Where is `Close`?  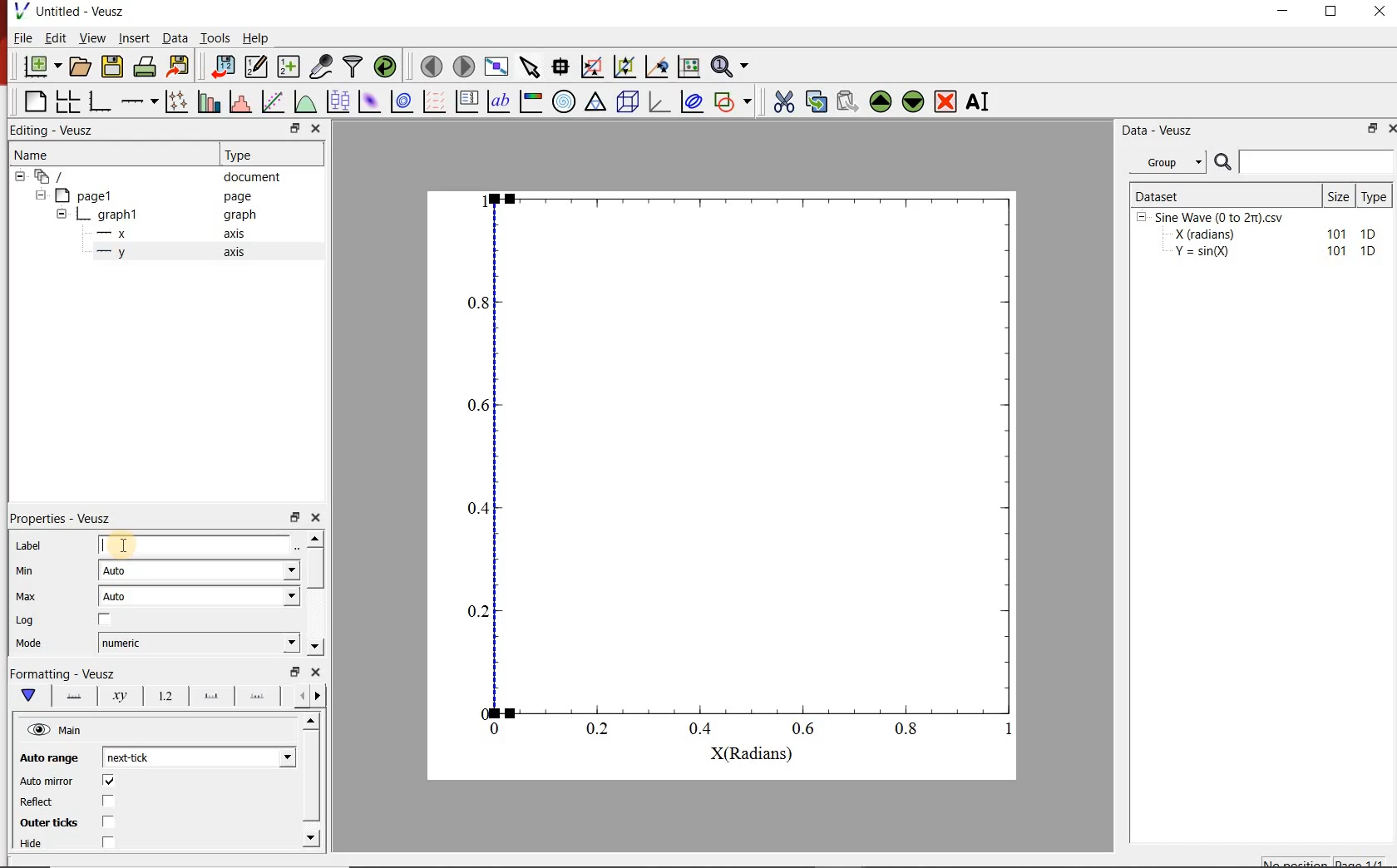
Close is located at coordinates (316, 130).